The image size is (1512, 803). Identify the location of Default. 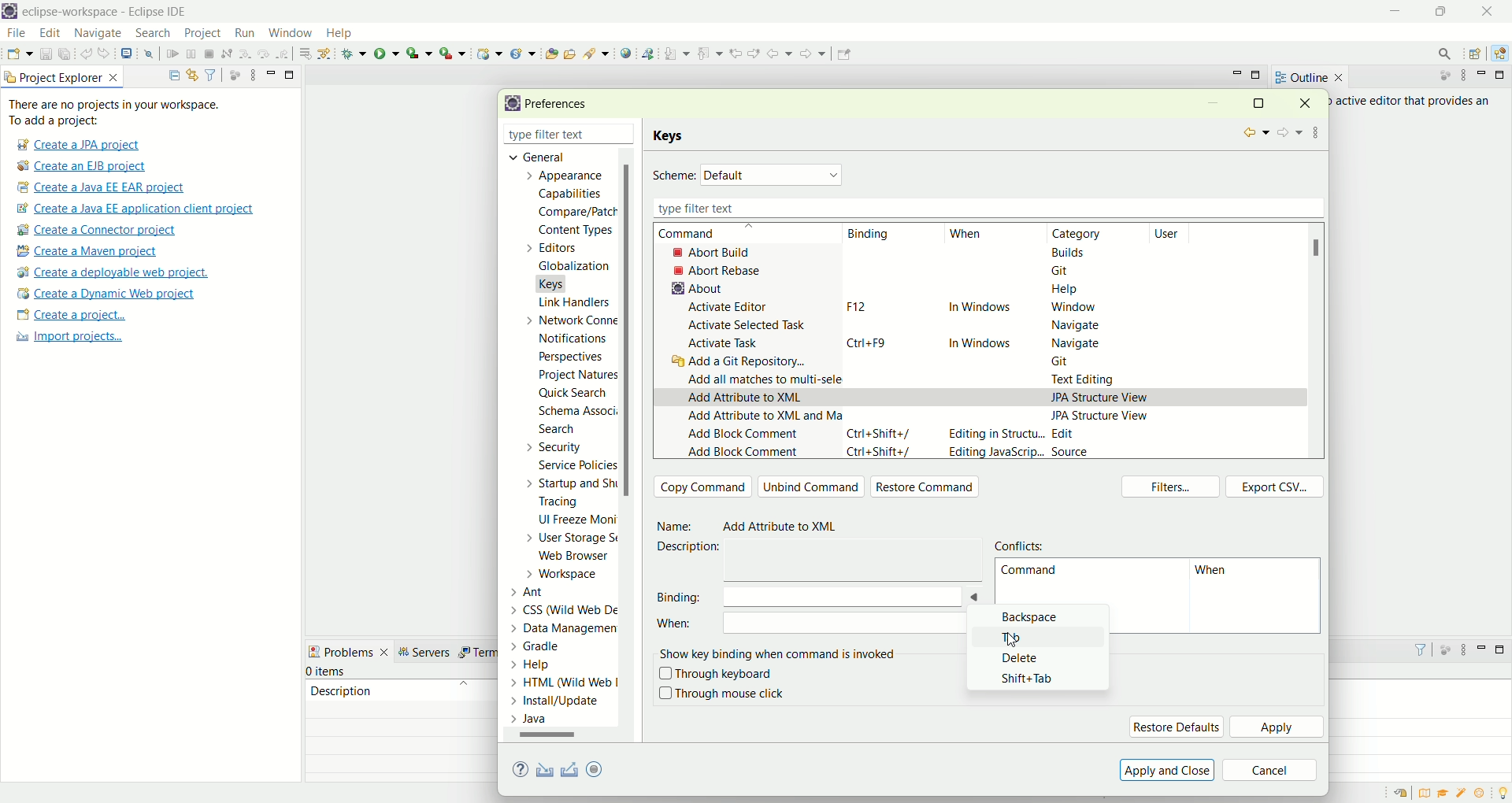
(773, 174).